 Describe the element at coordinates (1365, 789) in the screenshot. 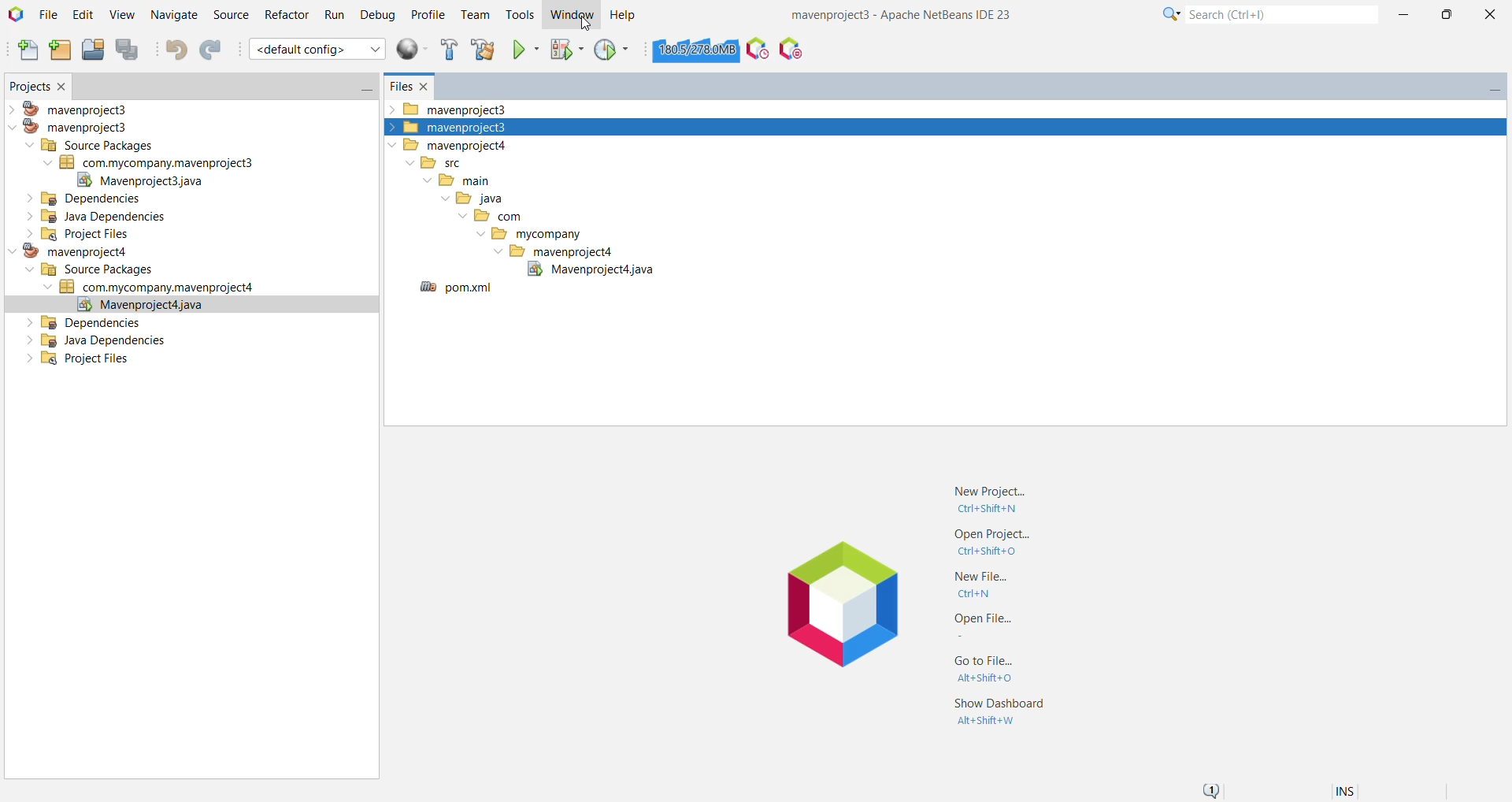

I see `Encoding` at that location.